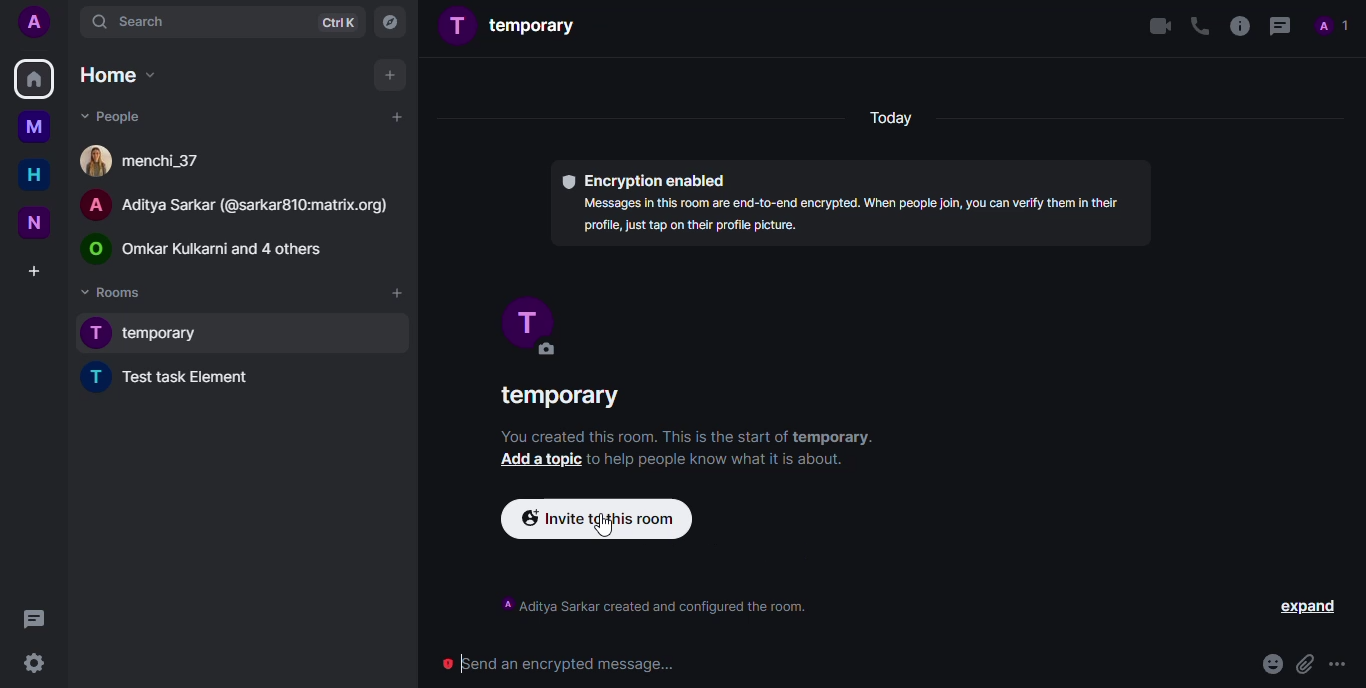 Image resolution: width=1366 pixels, height=688 pixels. I want to click on today, so click(892, 119).